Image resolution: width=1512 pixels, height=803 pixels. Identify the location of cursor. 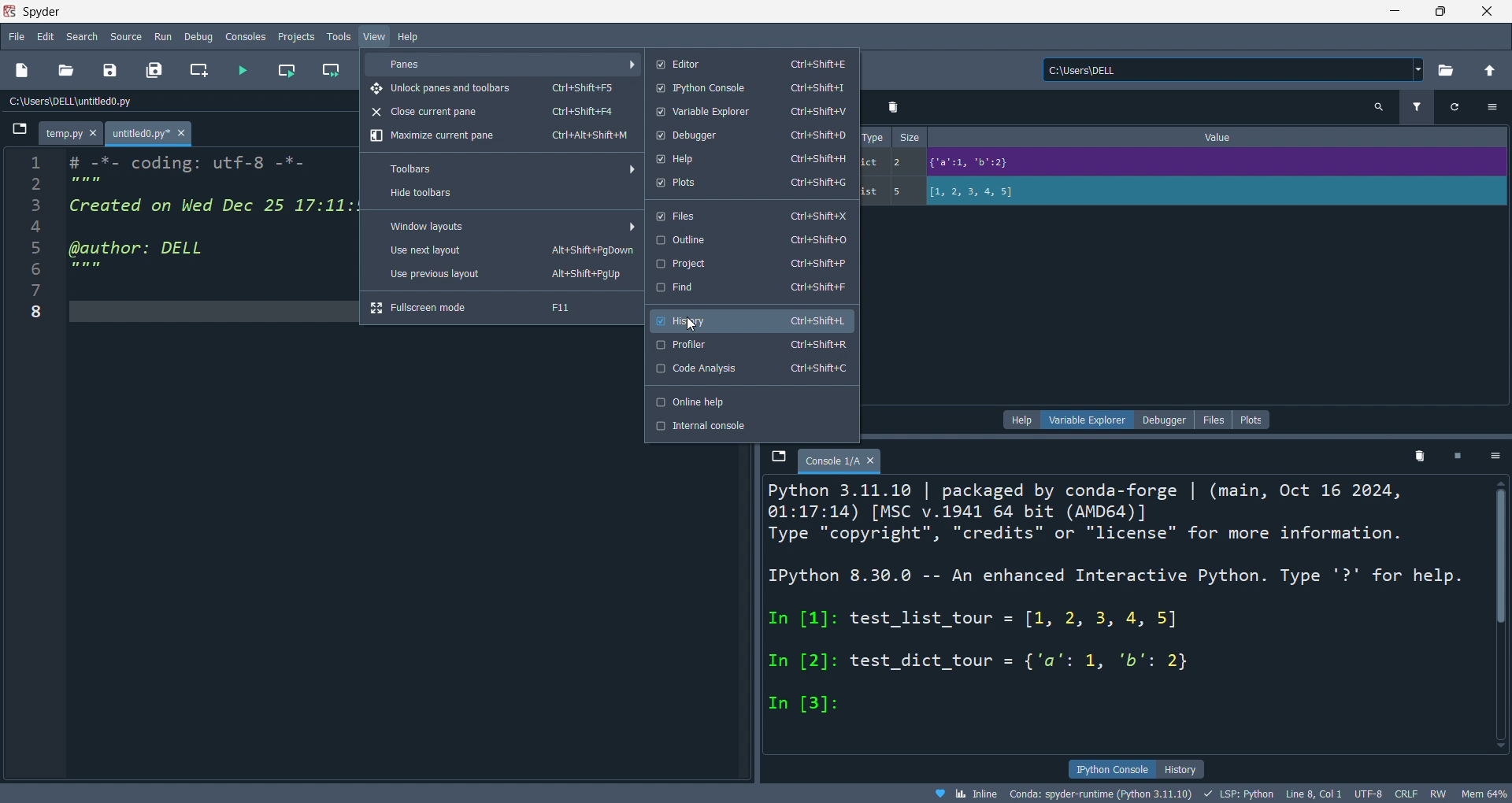
(692, 324).